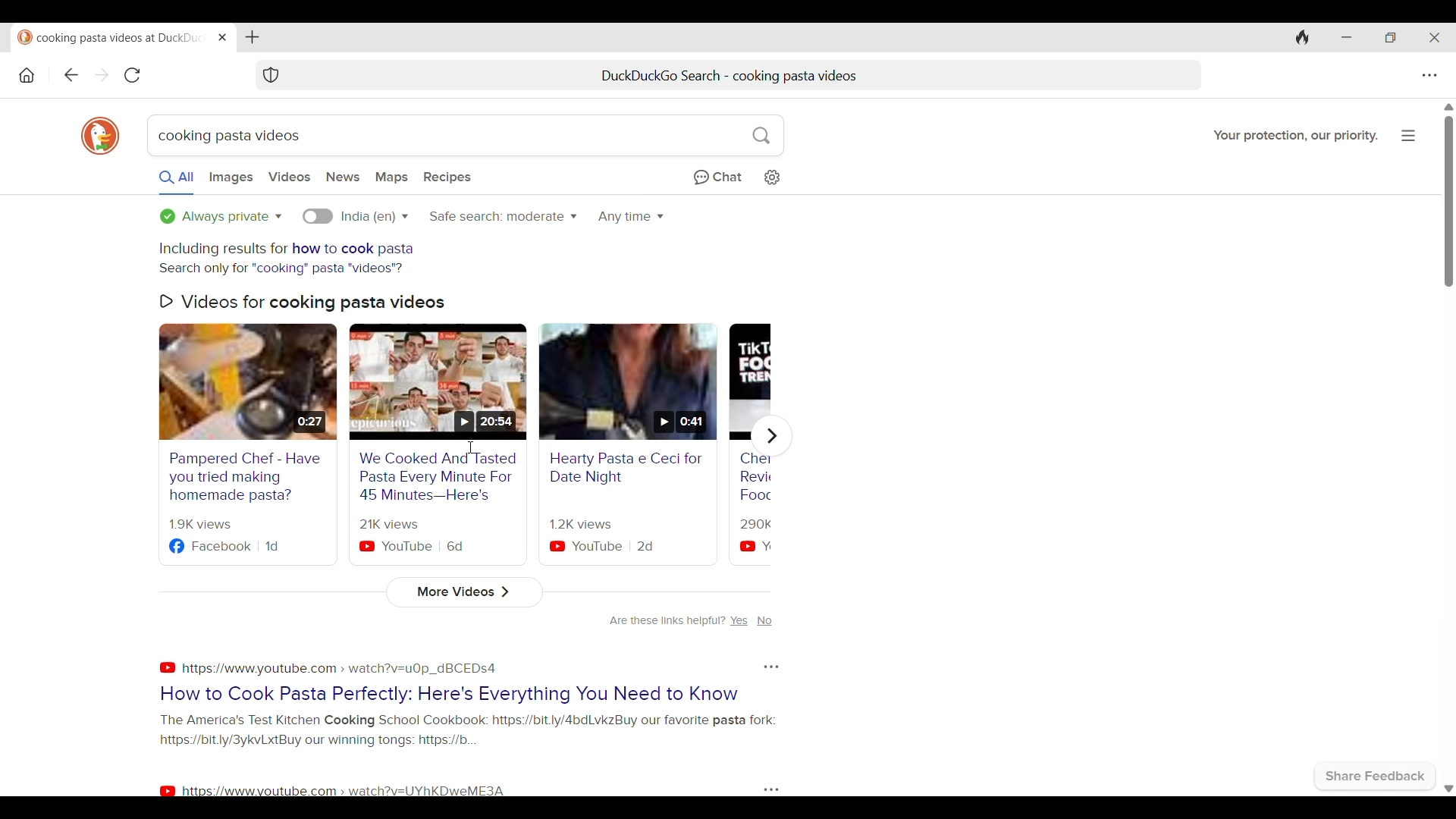 Image resolution: width=1456 pixels, height=819 pixels. I want to click on Duck duck go search - cooking pasta videos, so click(729, 75).